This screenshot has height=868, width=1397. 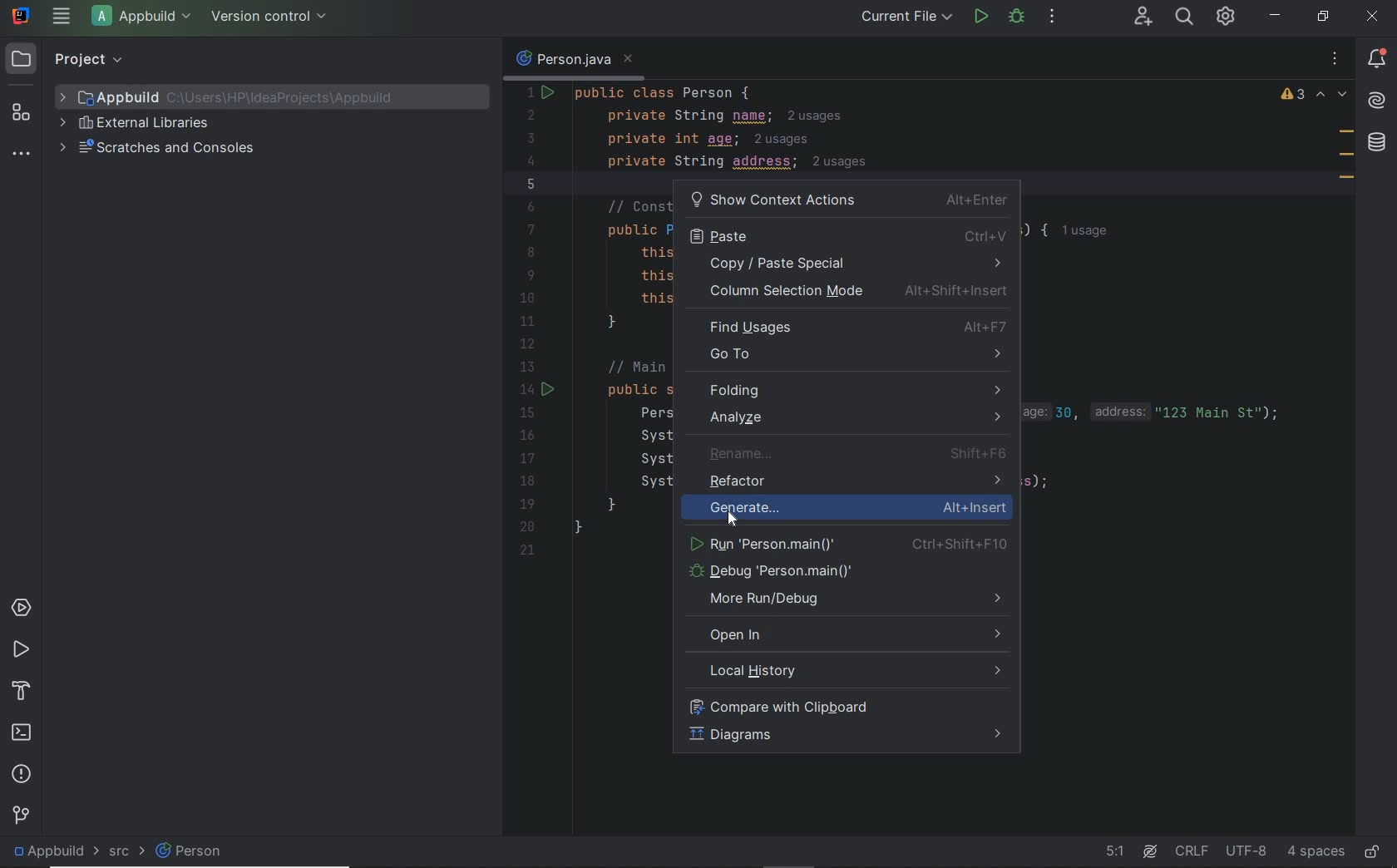 I want to click on recent files, tab actions, so click(x=1335, y=59).